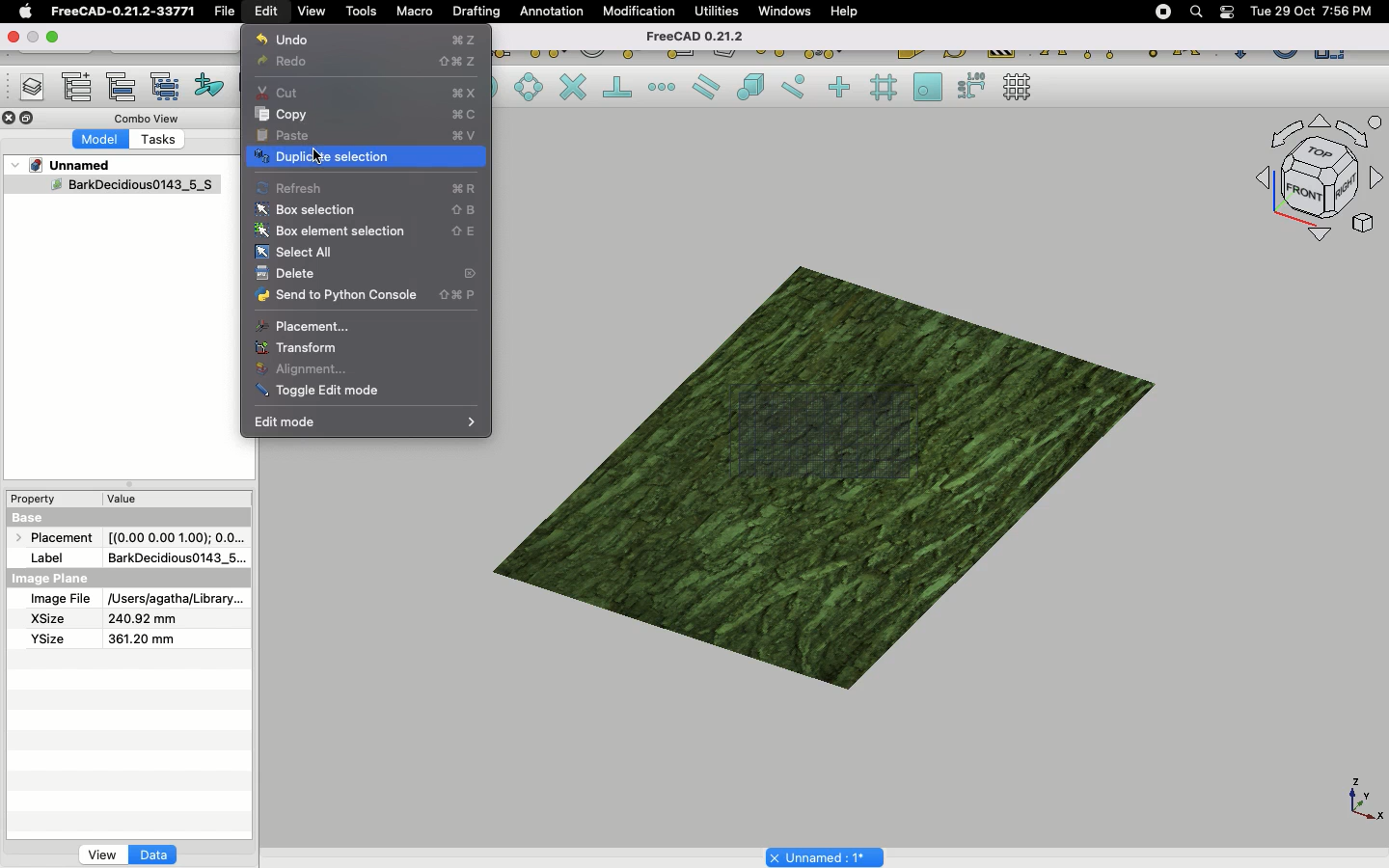  Describe the element at coordinates (303, 326) in the screenshot. I see `Placement` at that location.